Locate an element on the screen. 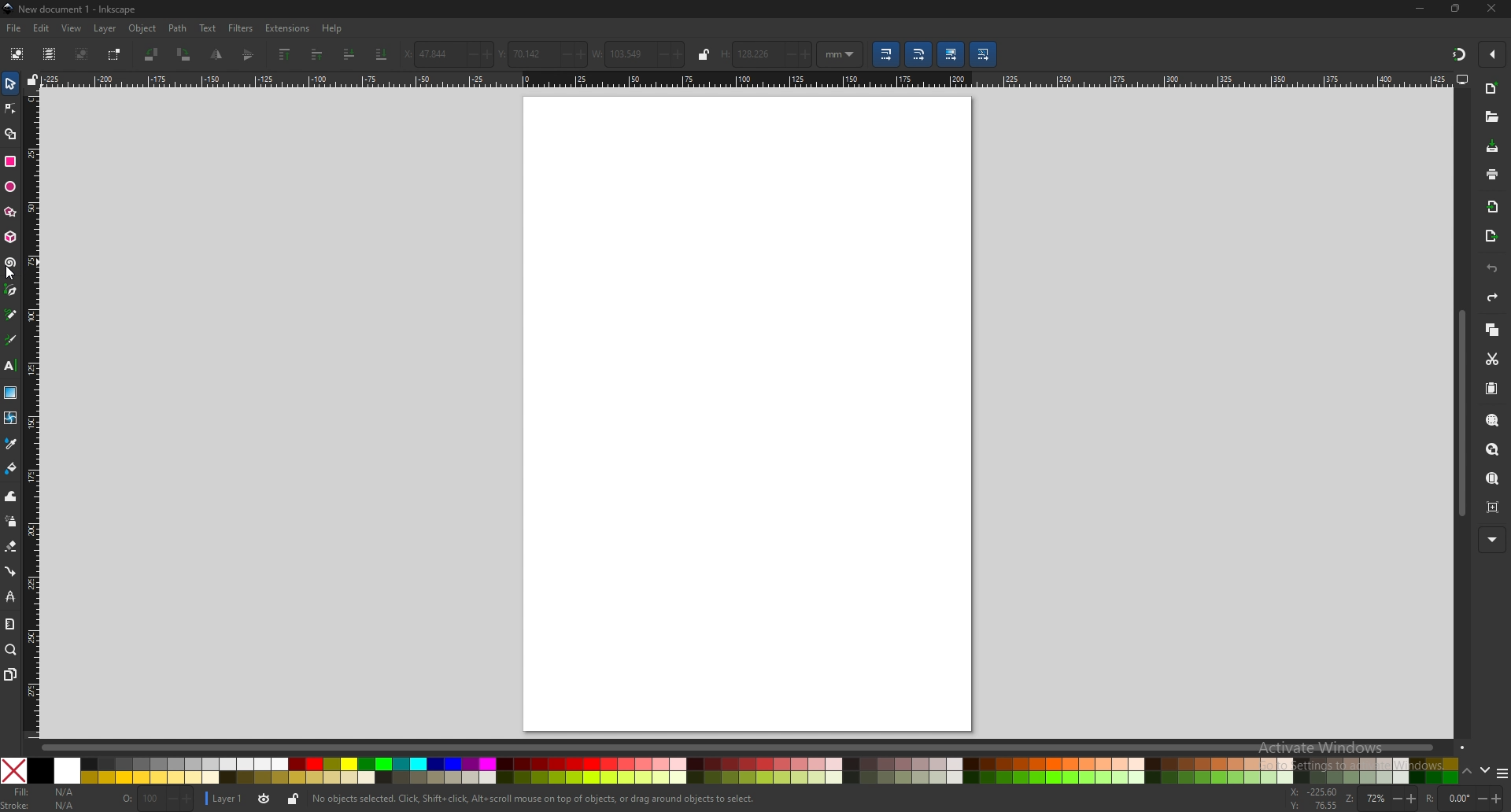 This screenshot has height=812, width=1511. ellipse is located at coordinates (10, 186).